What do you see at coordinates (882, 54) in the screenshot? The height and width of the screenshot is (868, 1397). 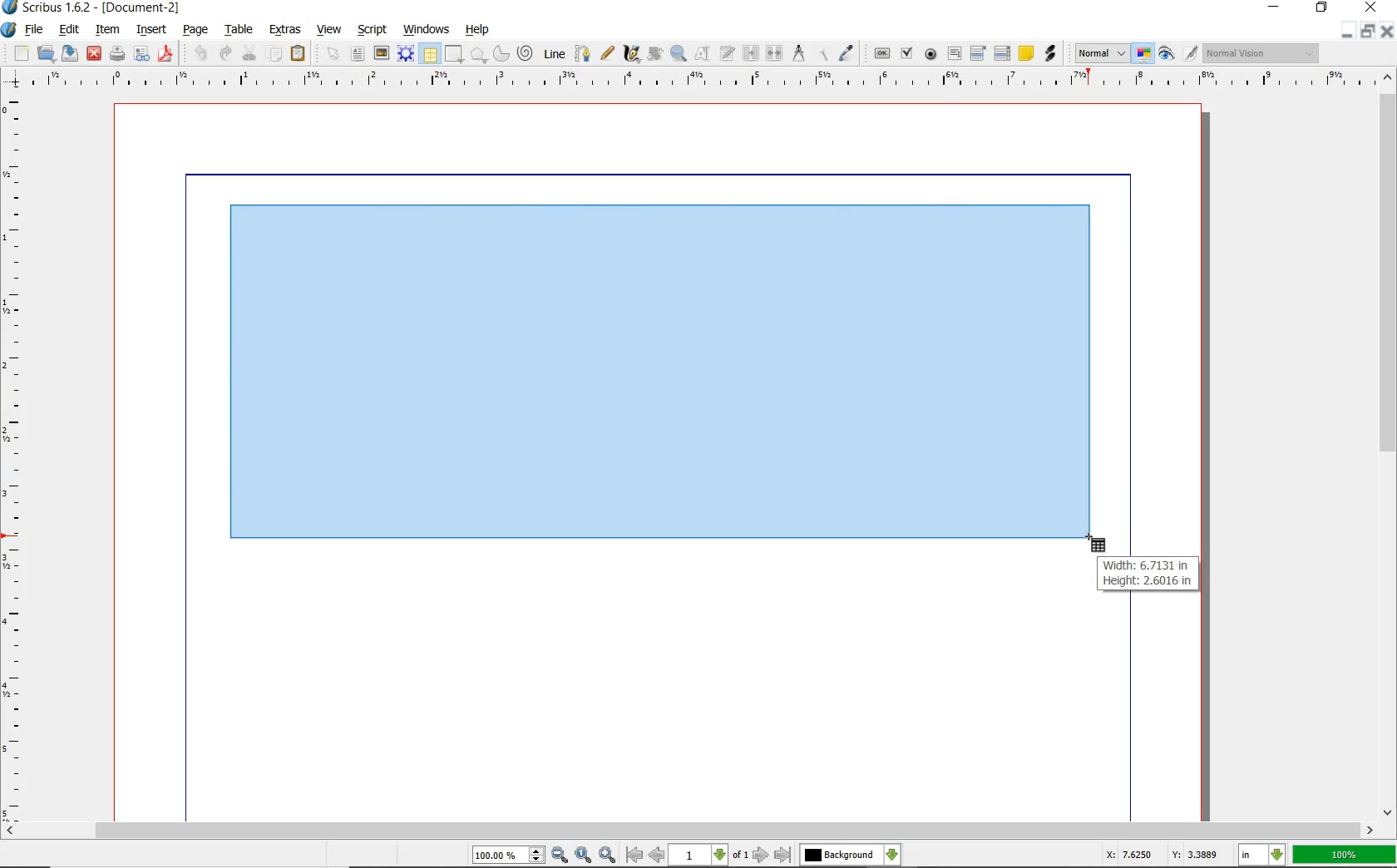 I see `pdf push button` at bounding box center [882, 54].